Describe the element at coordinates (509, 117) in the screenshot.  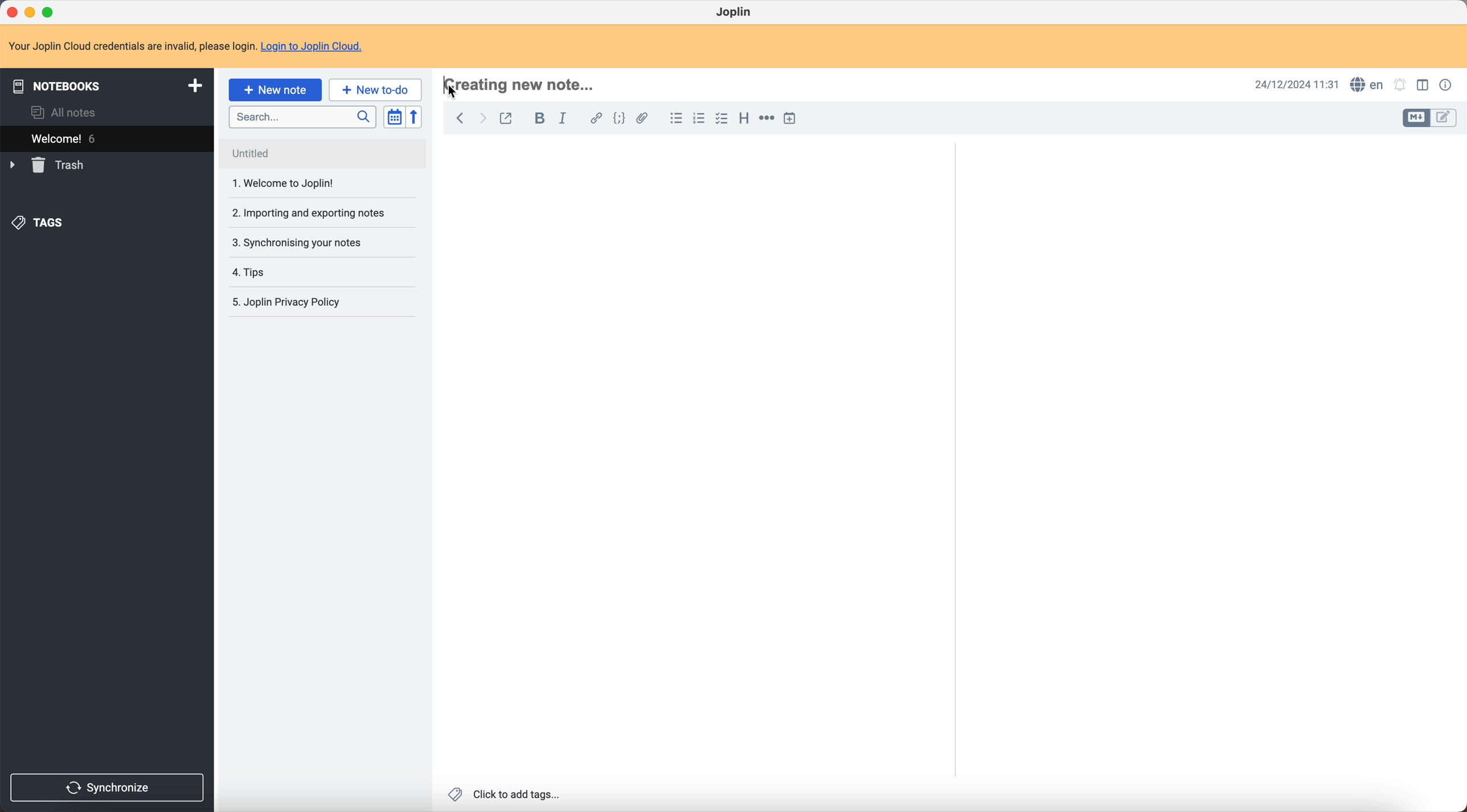
I see `toggle external editing` at that location.